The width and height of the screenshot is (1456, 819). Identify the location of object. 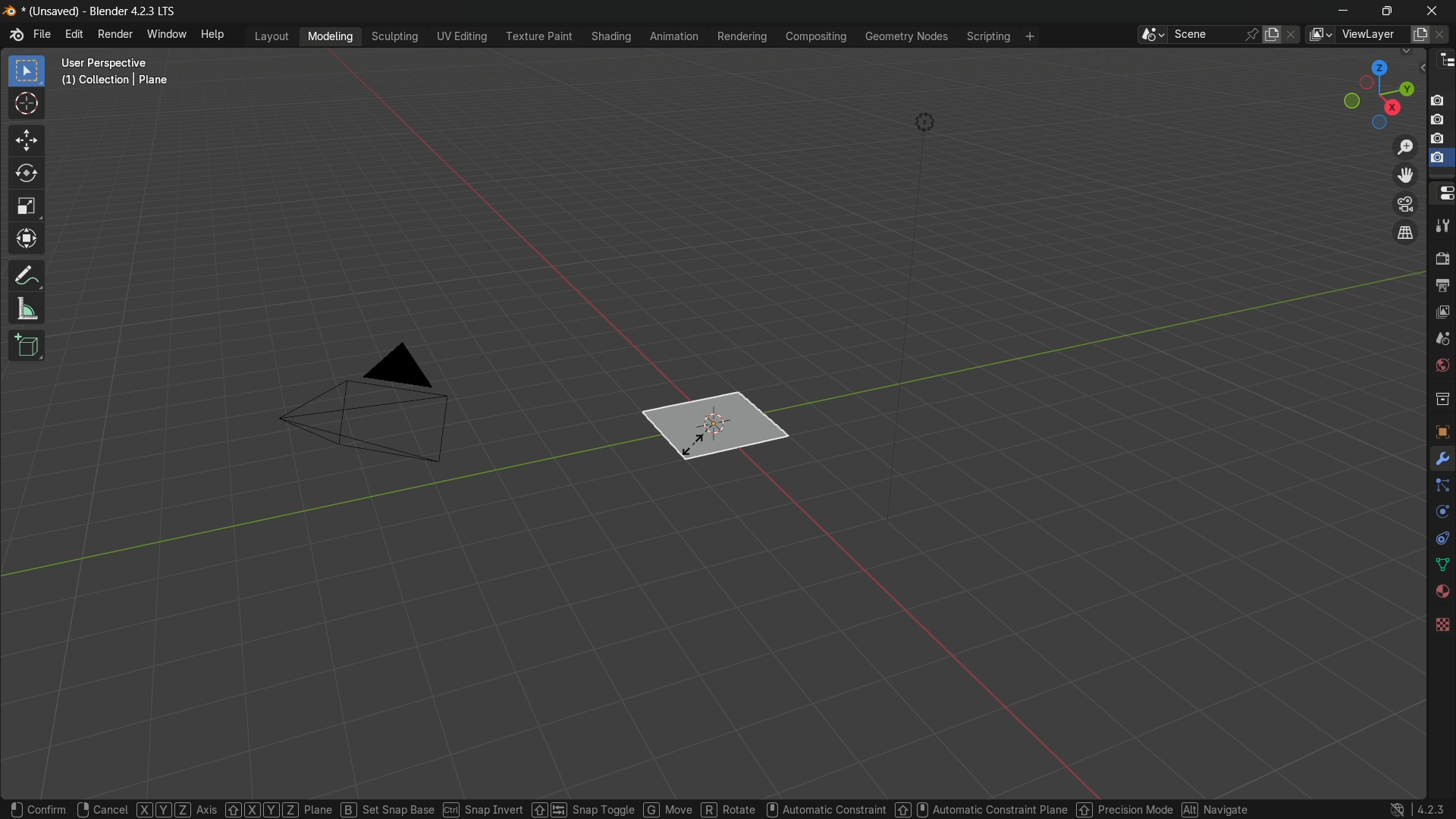
(1441, 431).